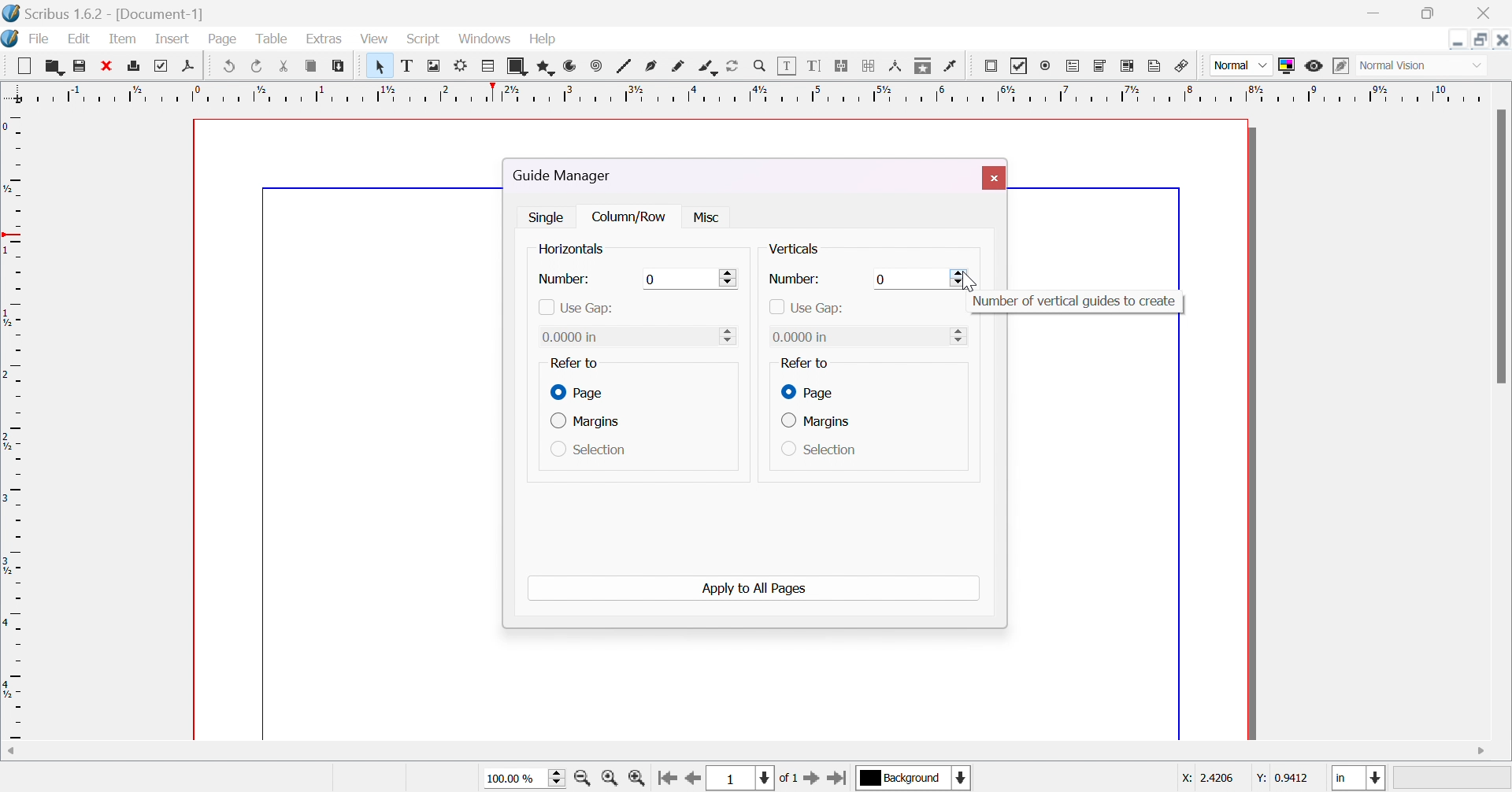  What do you see at coordinates (666, 776) in the screenshot?
I see `go to first page` at bounding box center [666, 776].